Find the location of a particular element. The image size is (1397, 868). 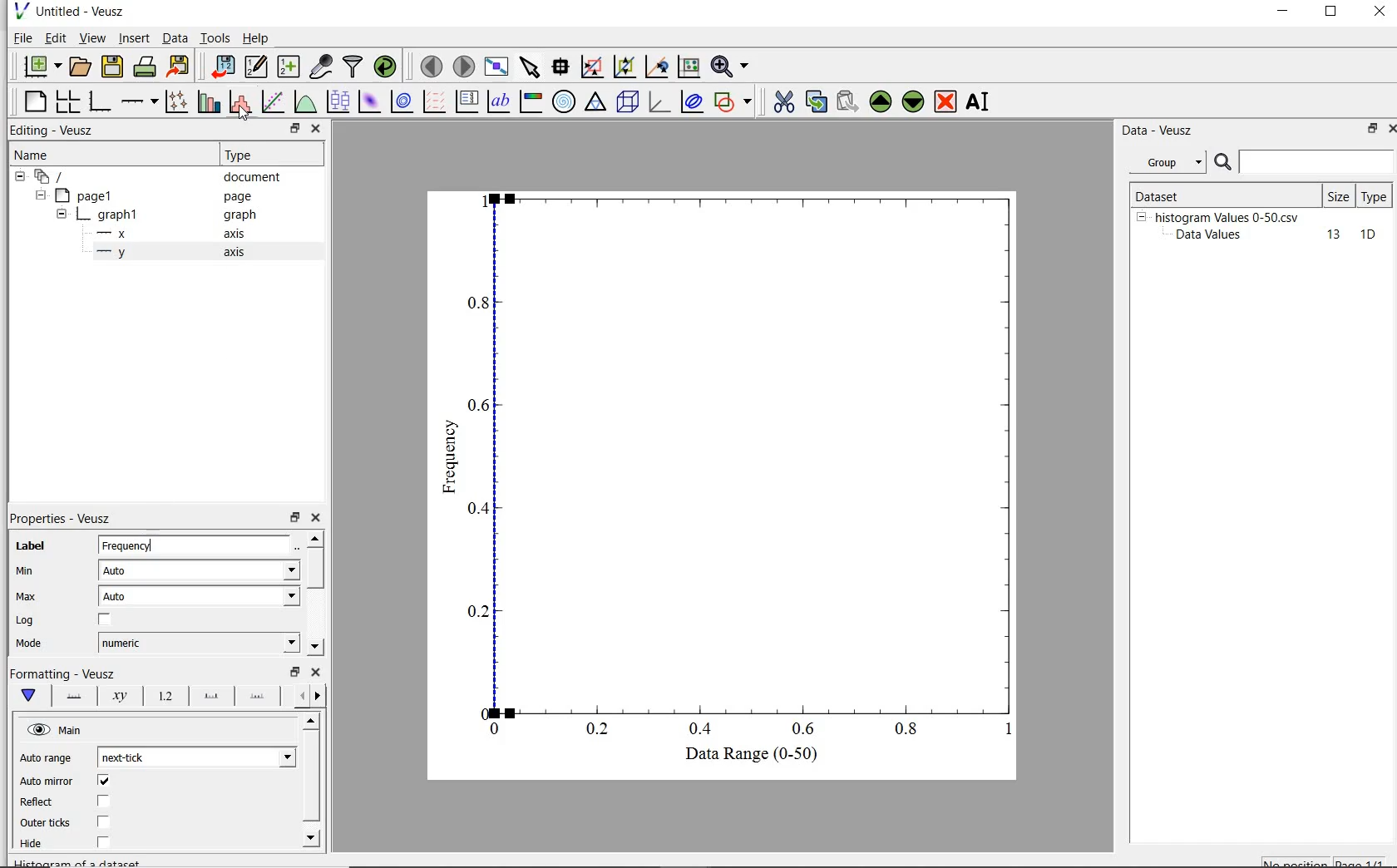

x- axis is located at coordinates (115, 235).